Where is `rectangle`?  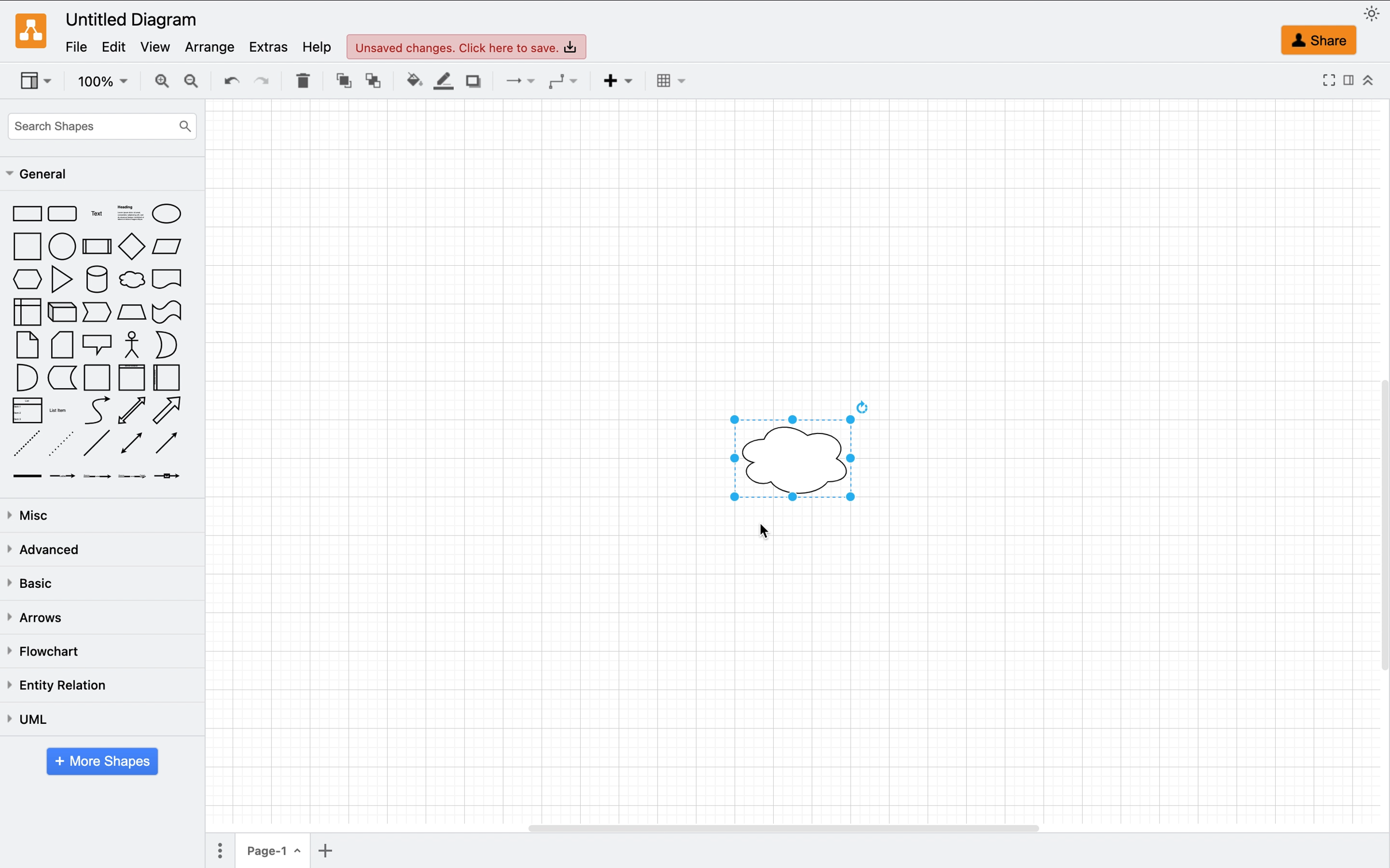 rectangle is located at coordinates (26, 212).